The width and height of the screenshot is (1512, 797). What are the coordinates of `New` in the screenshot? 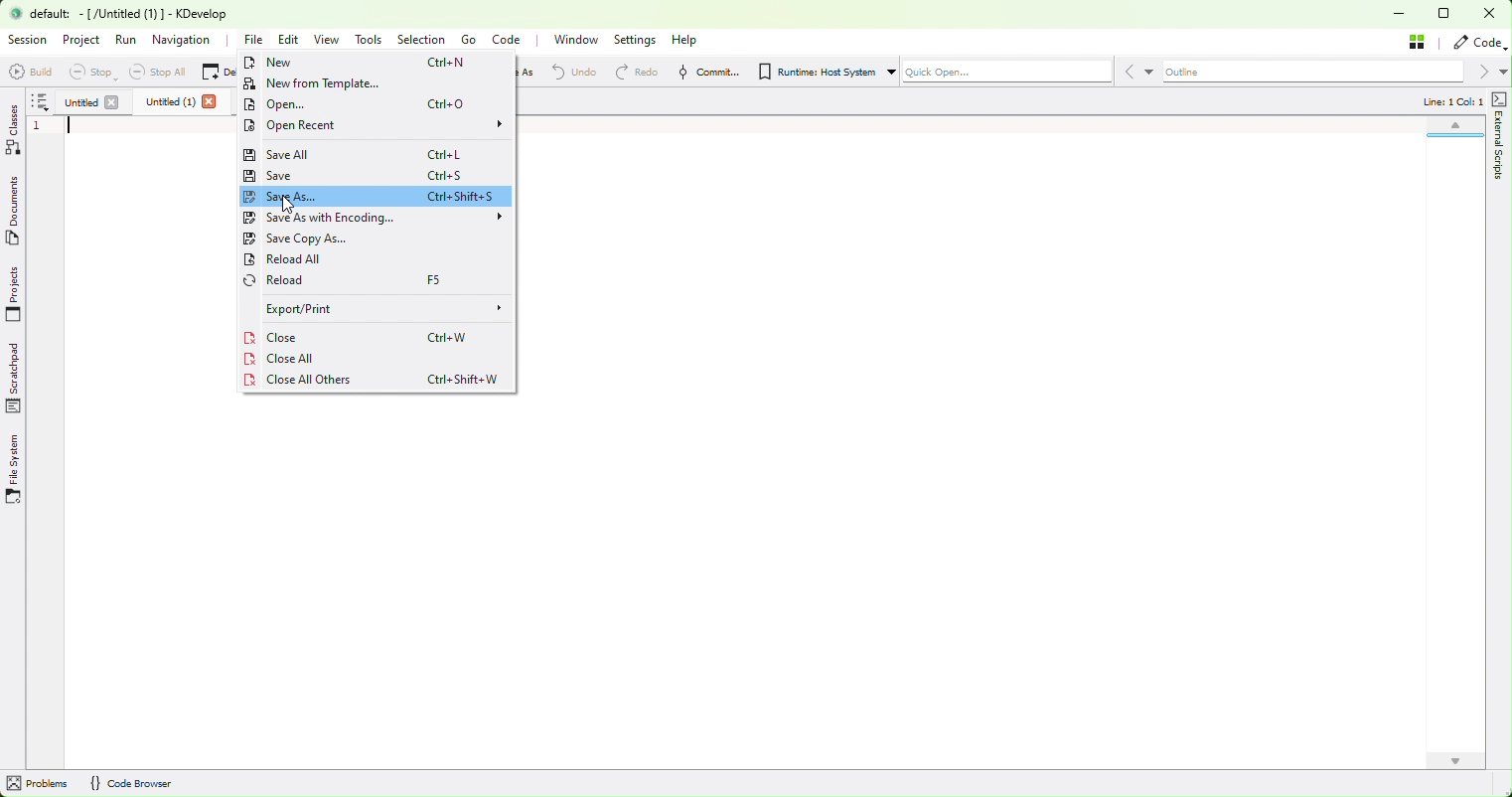 It's located at (294, 64).